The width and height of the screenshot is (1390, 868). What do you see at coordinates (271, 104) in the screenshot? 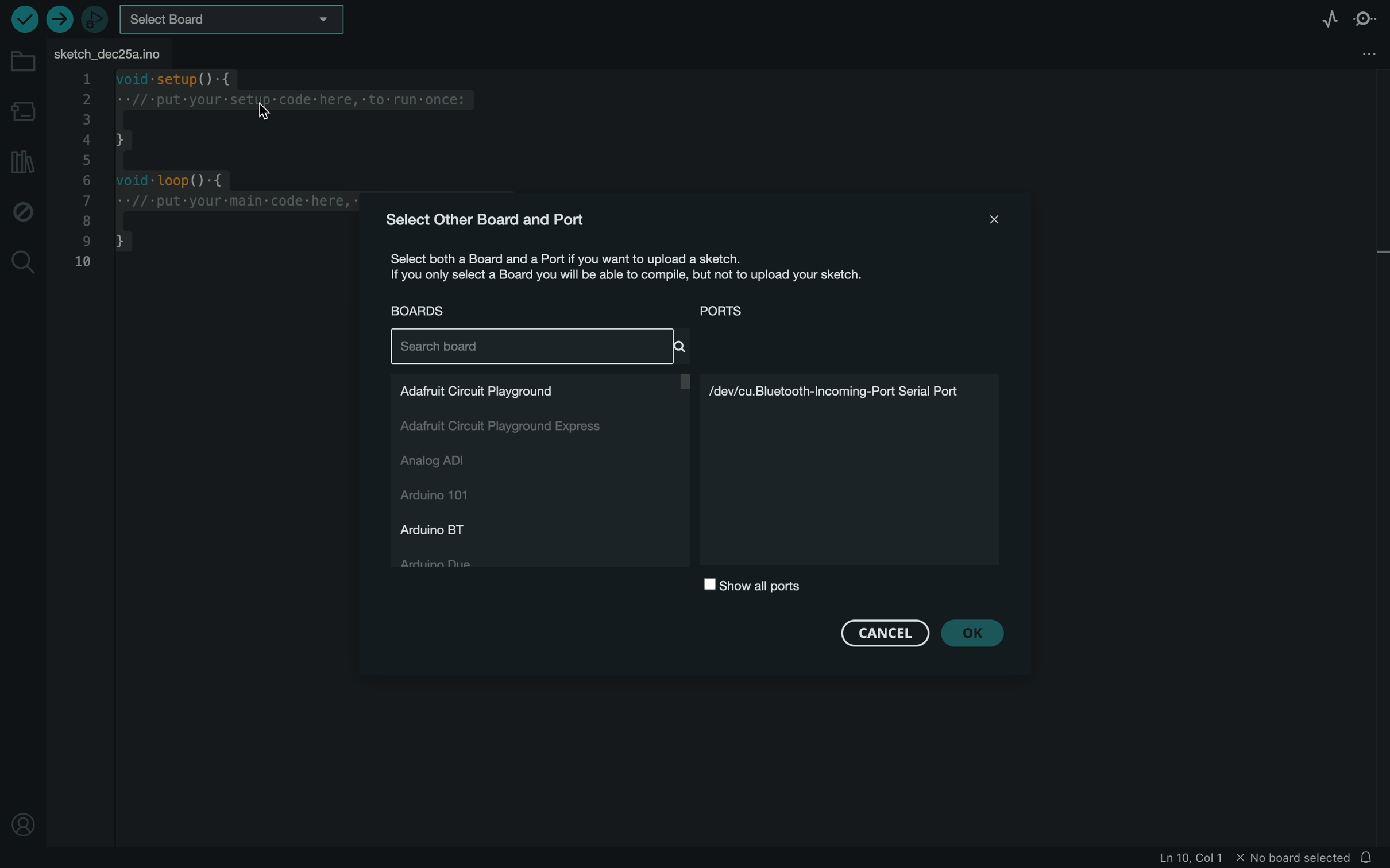
I see `cursor` at bounding box center [271, 104].